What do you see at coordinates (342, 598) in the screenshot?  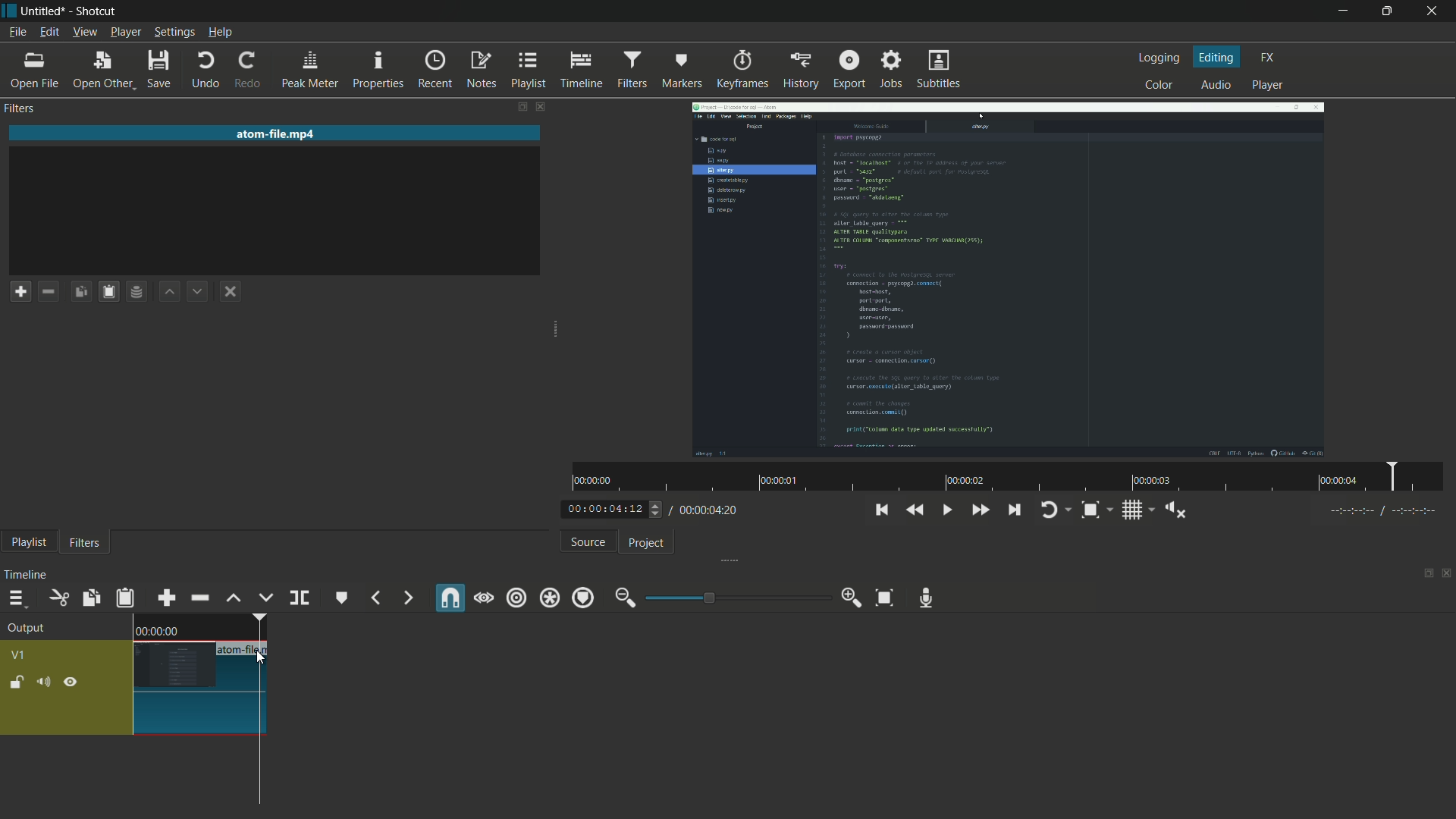 I see `create or edit marker` at bounding box center [342, 598].